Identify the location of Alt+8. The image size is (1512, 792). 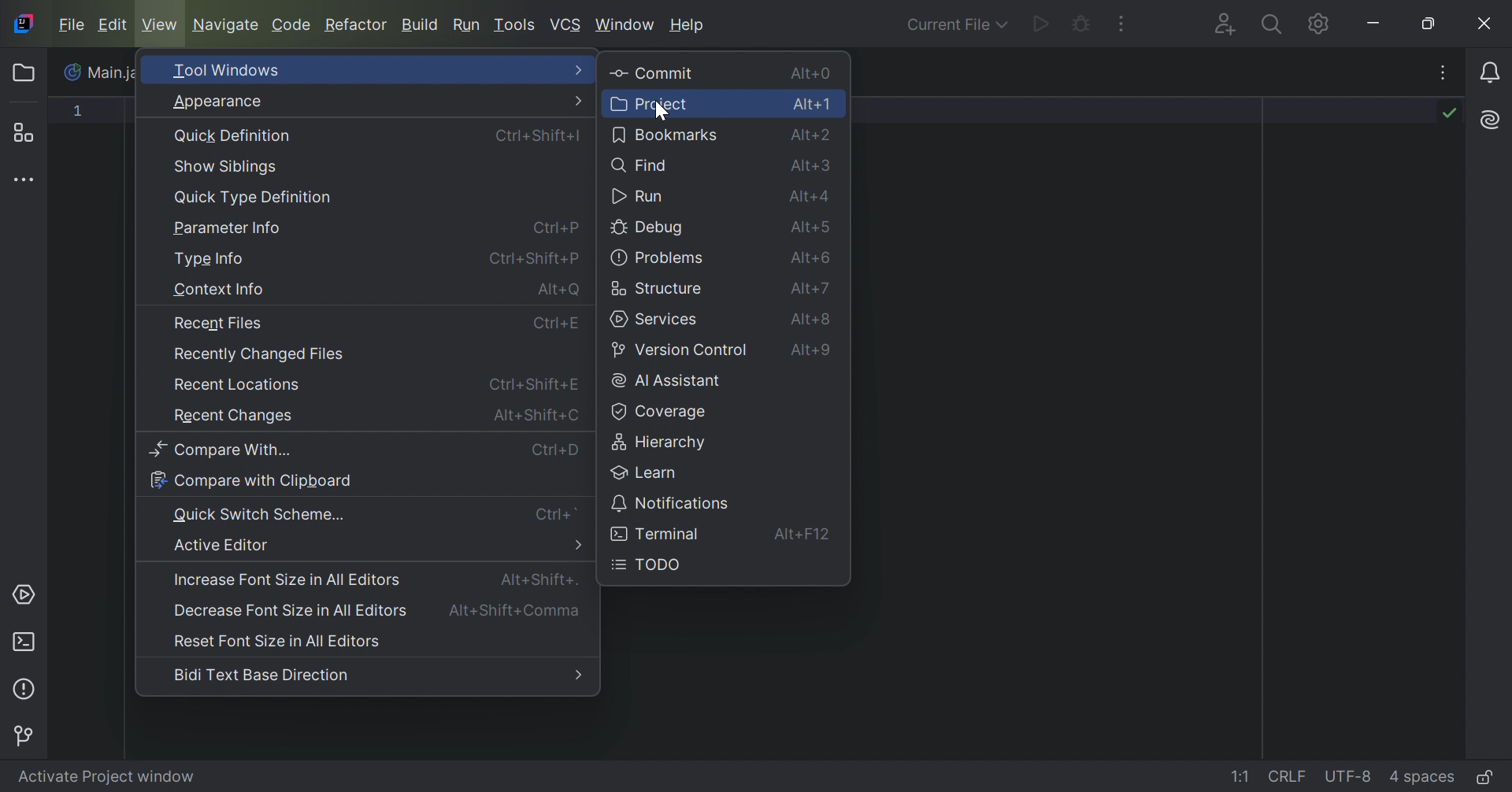
(813, 320).